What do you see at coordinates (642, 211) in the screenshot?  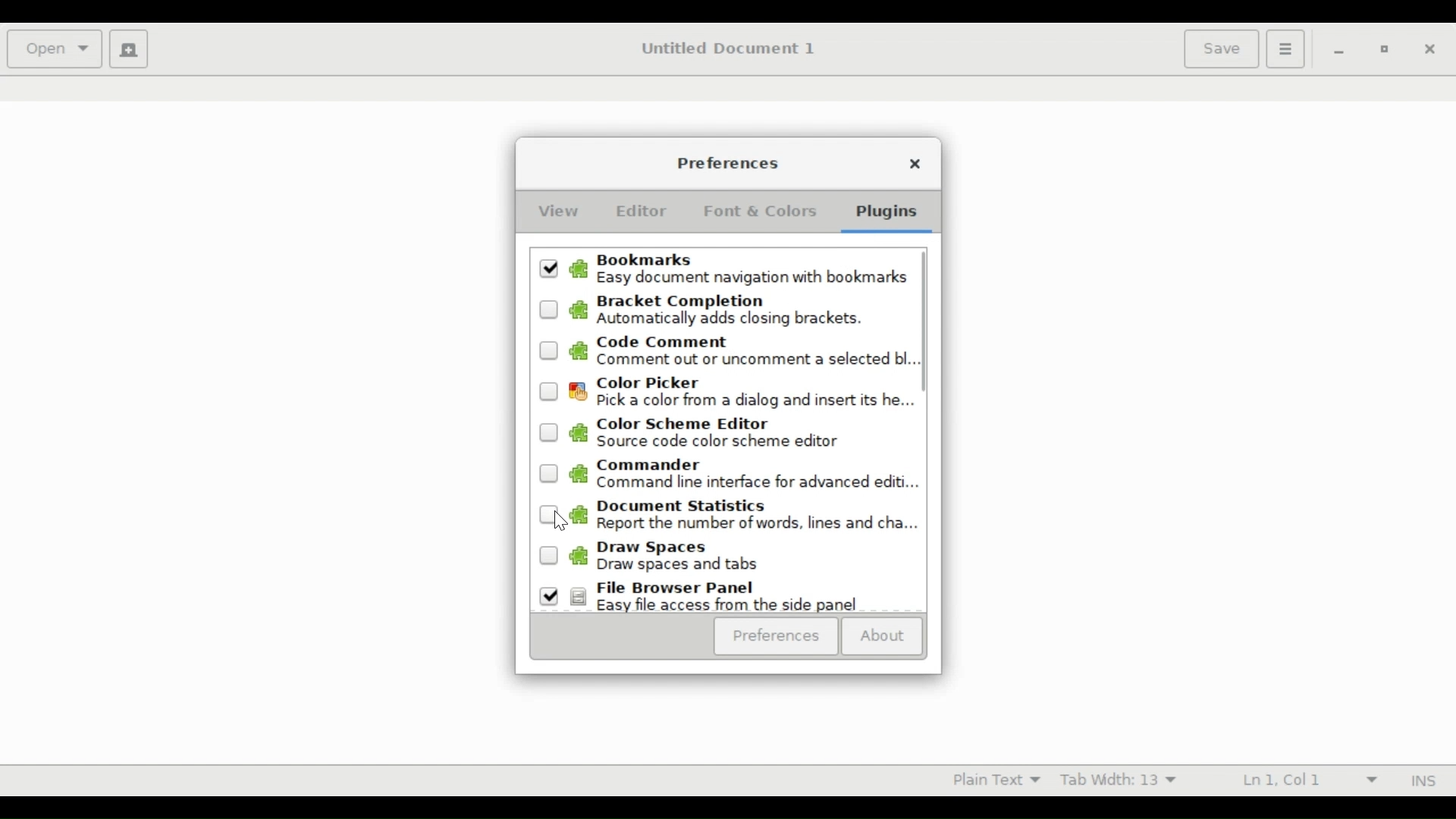 I see `Editor` at bounding box center [642, 211].